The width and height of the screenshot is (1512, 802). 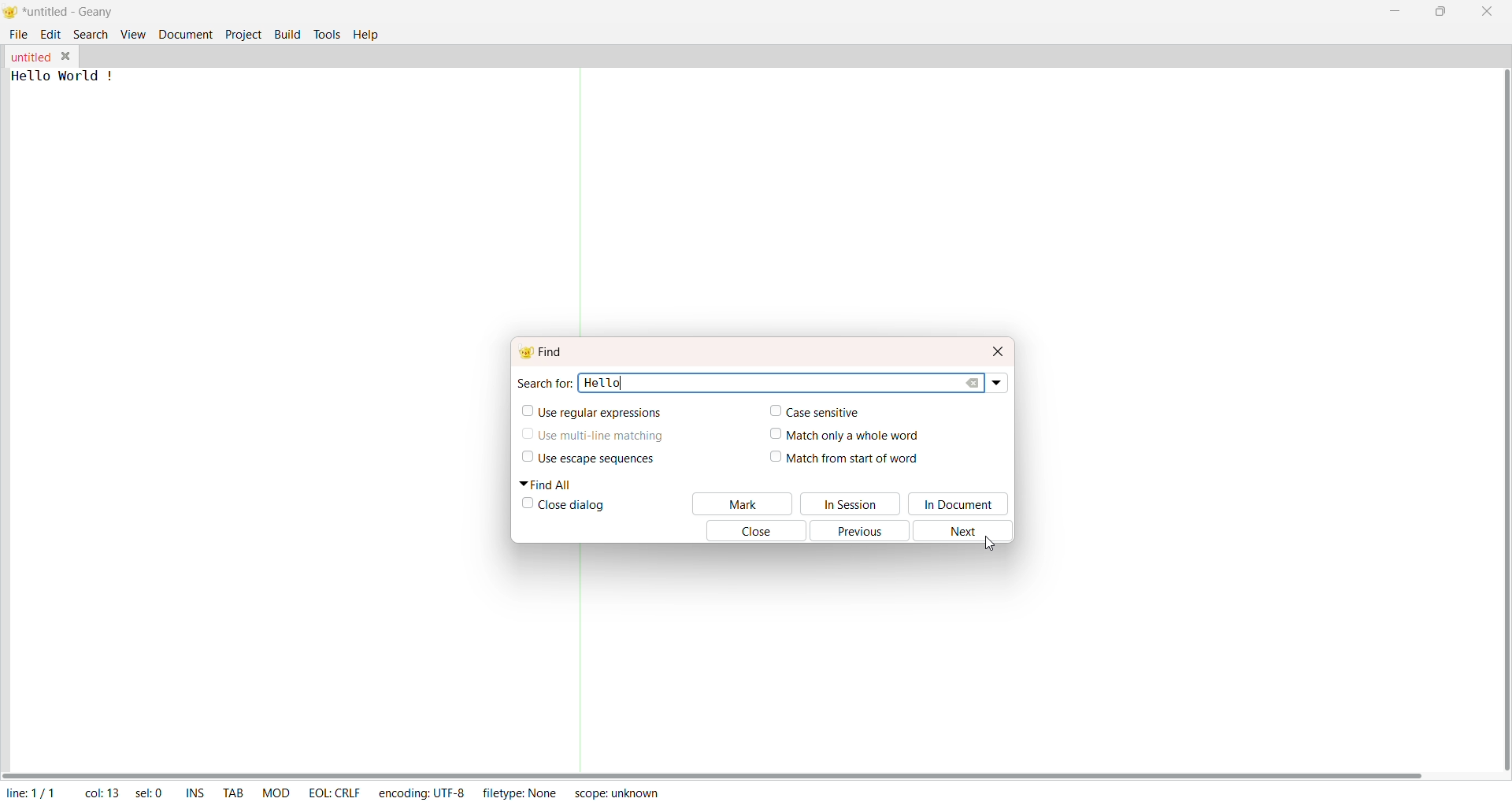 What do you see at coordinates (13, 13) in the screenshot?
I see `Logo` at bounding box center [13, 13].